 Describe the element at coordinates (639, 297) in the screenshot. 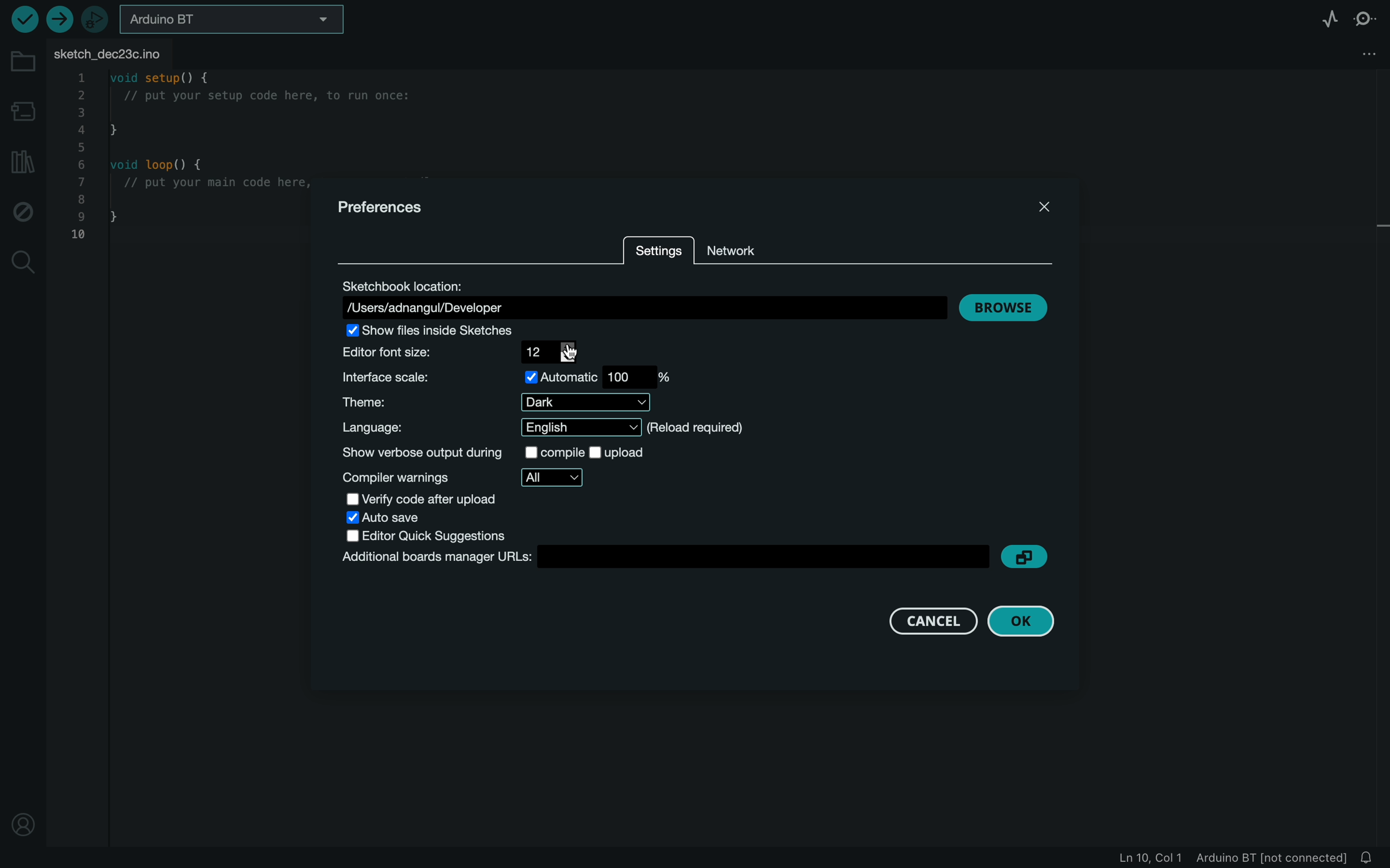

I see `location` at that location.